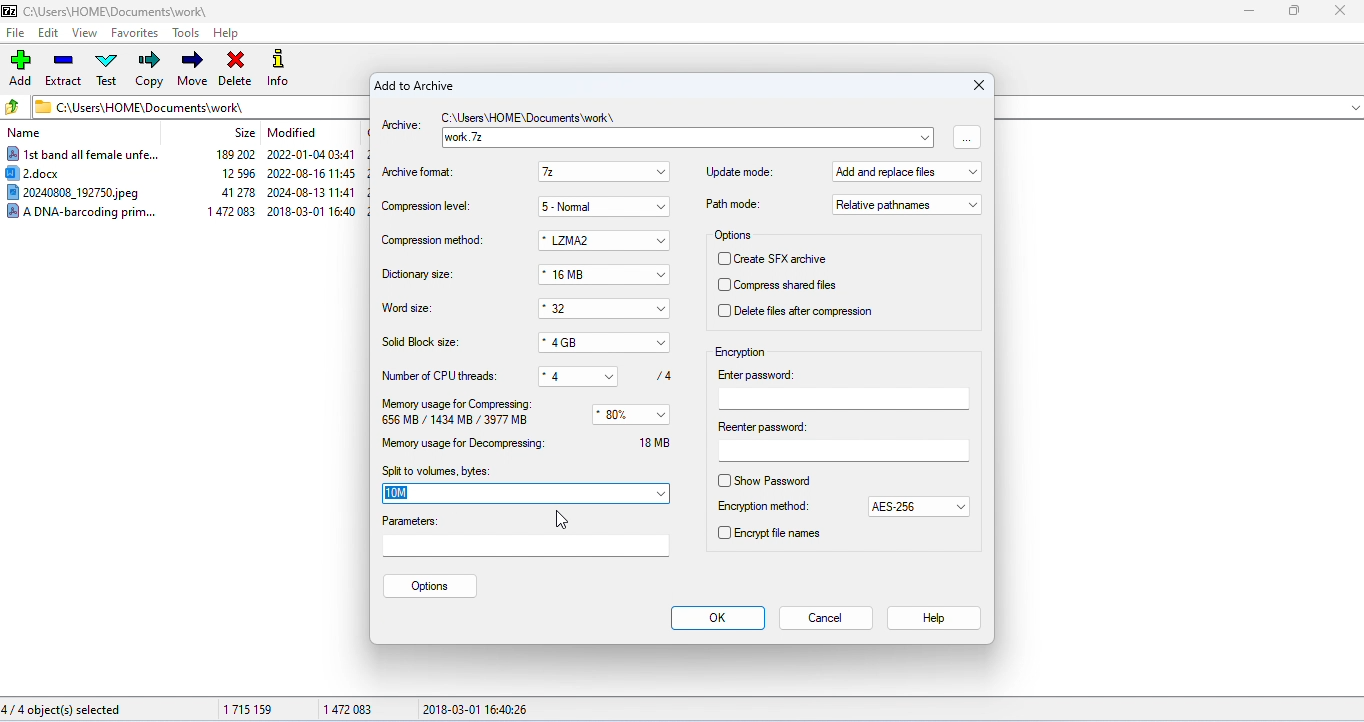 The width and height of the screenshot is (1364, 722). Describe the element at coordinates (782, 480) in the screenshot. I see `show password` at that location.